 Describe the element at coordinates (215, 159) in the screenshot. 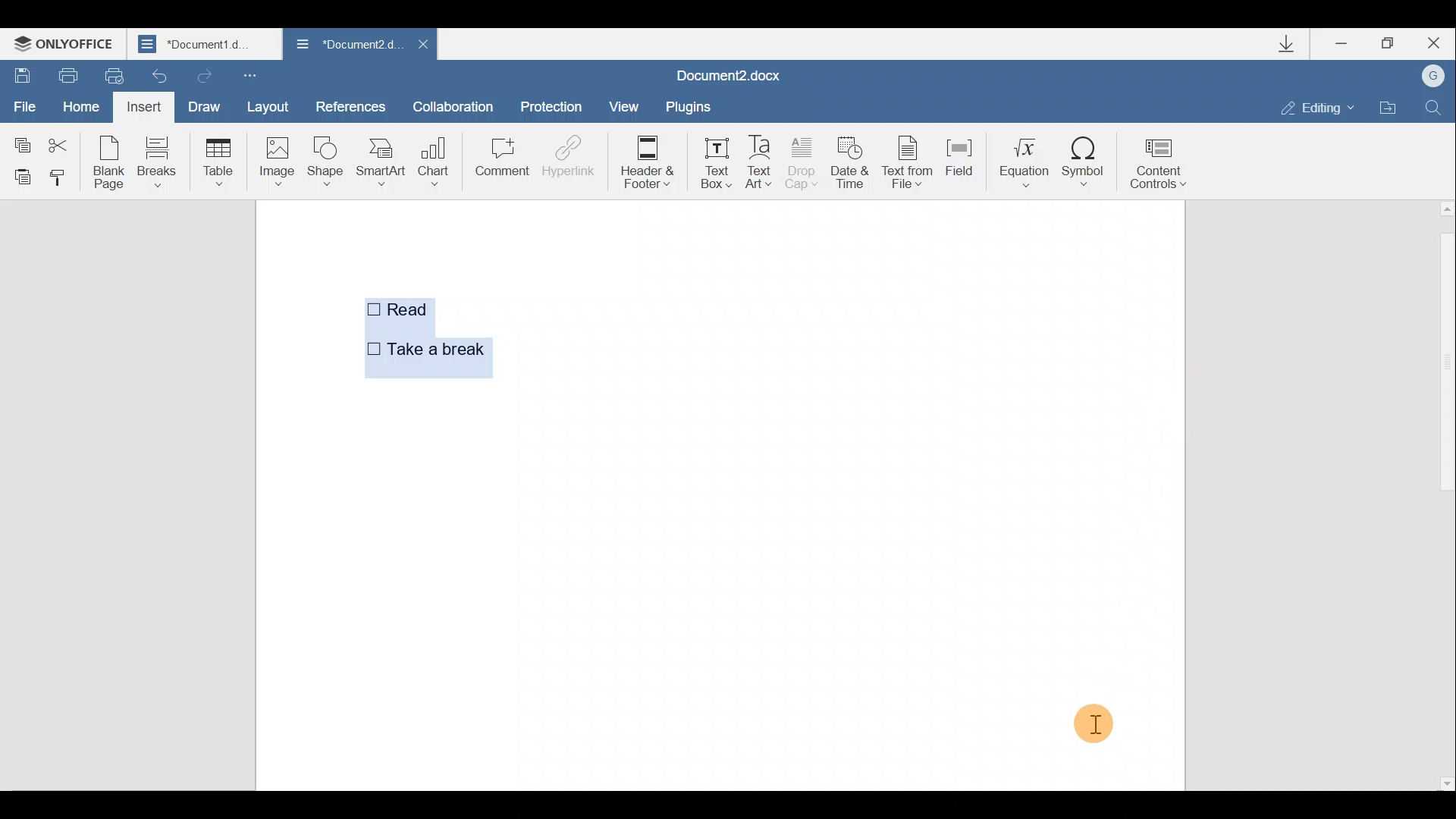

I see `Table` at that location.